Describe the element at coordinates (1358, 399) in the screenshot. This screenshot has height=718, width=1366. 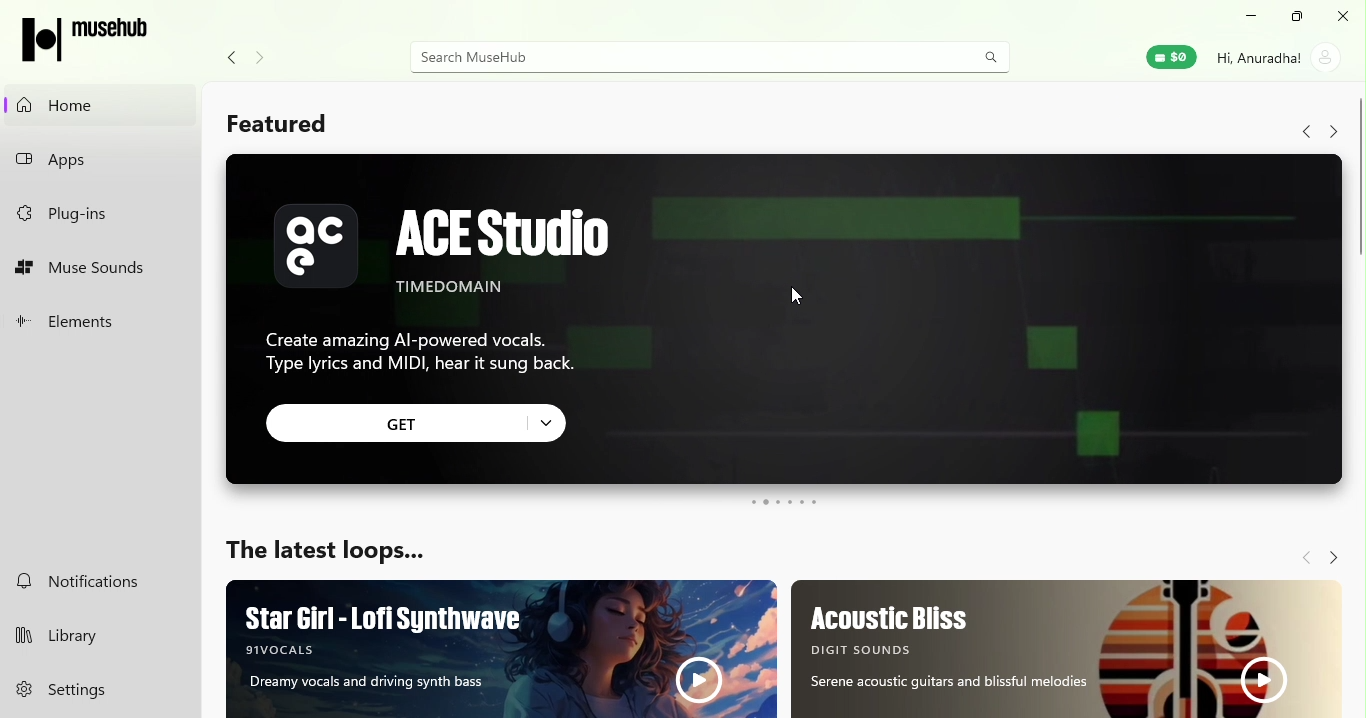
I see `Scroll bar` at that location.